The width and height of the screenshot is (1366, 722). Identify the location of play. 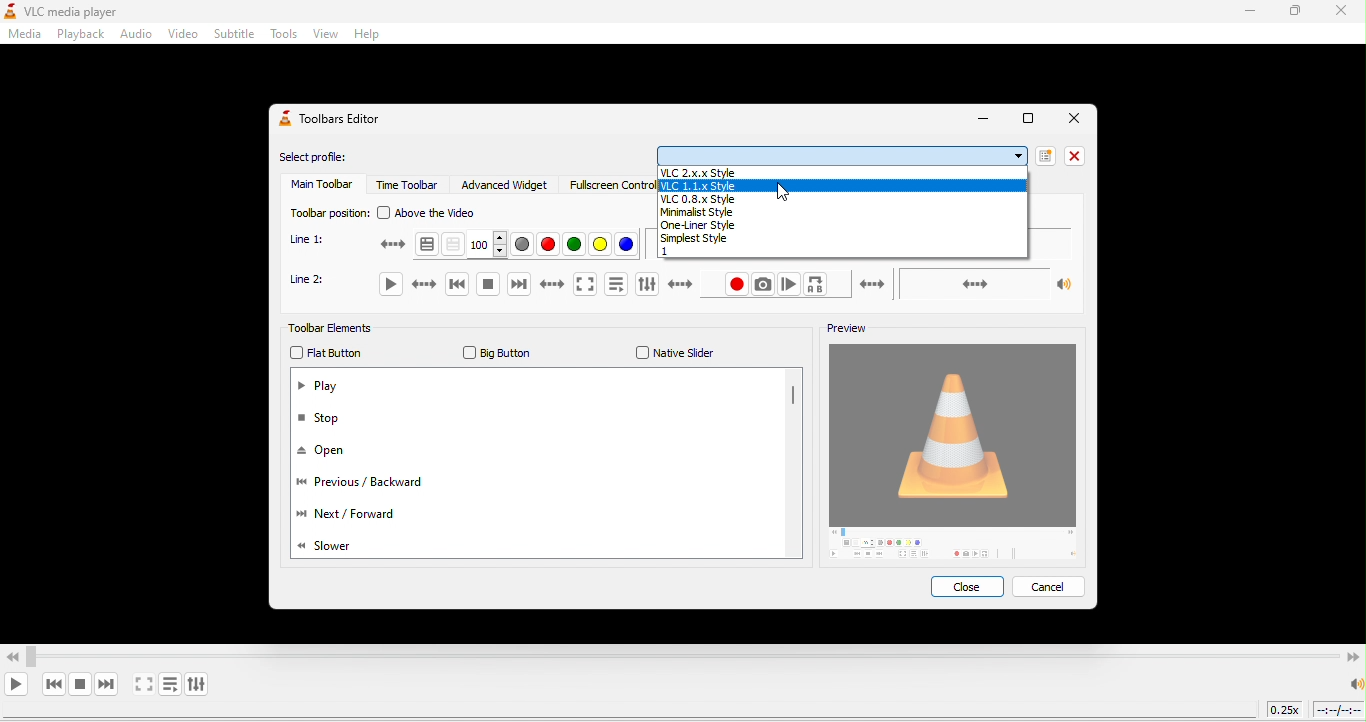
(321, 388).